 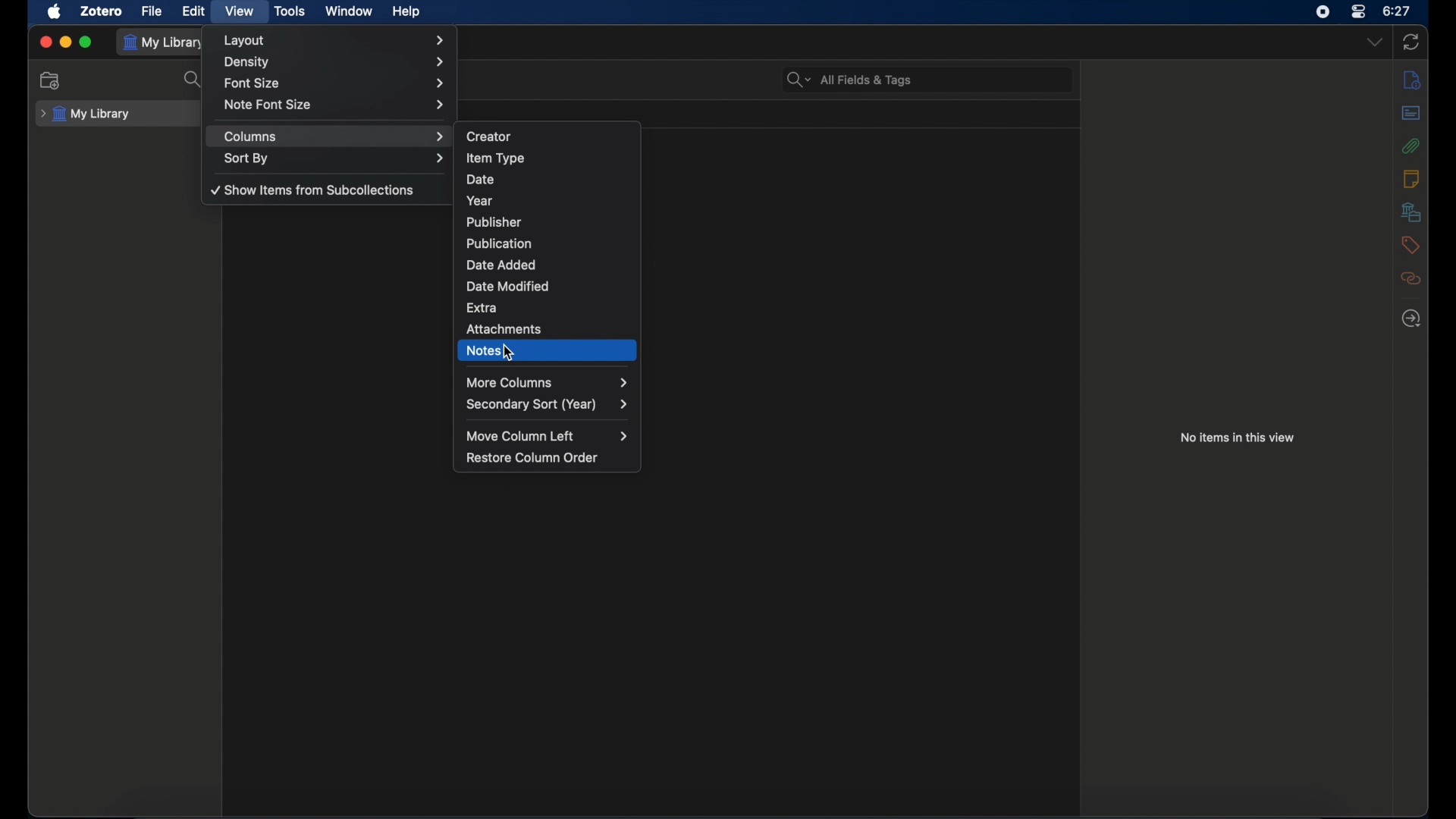 I want to click on control center, so click(x=1359, y=12).